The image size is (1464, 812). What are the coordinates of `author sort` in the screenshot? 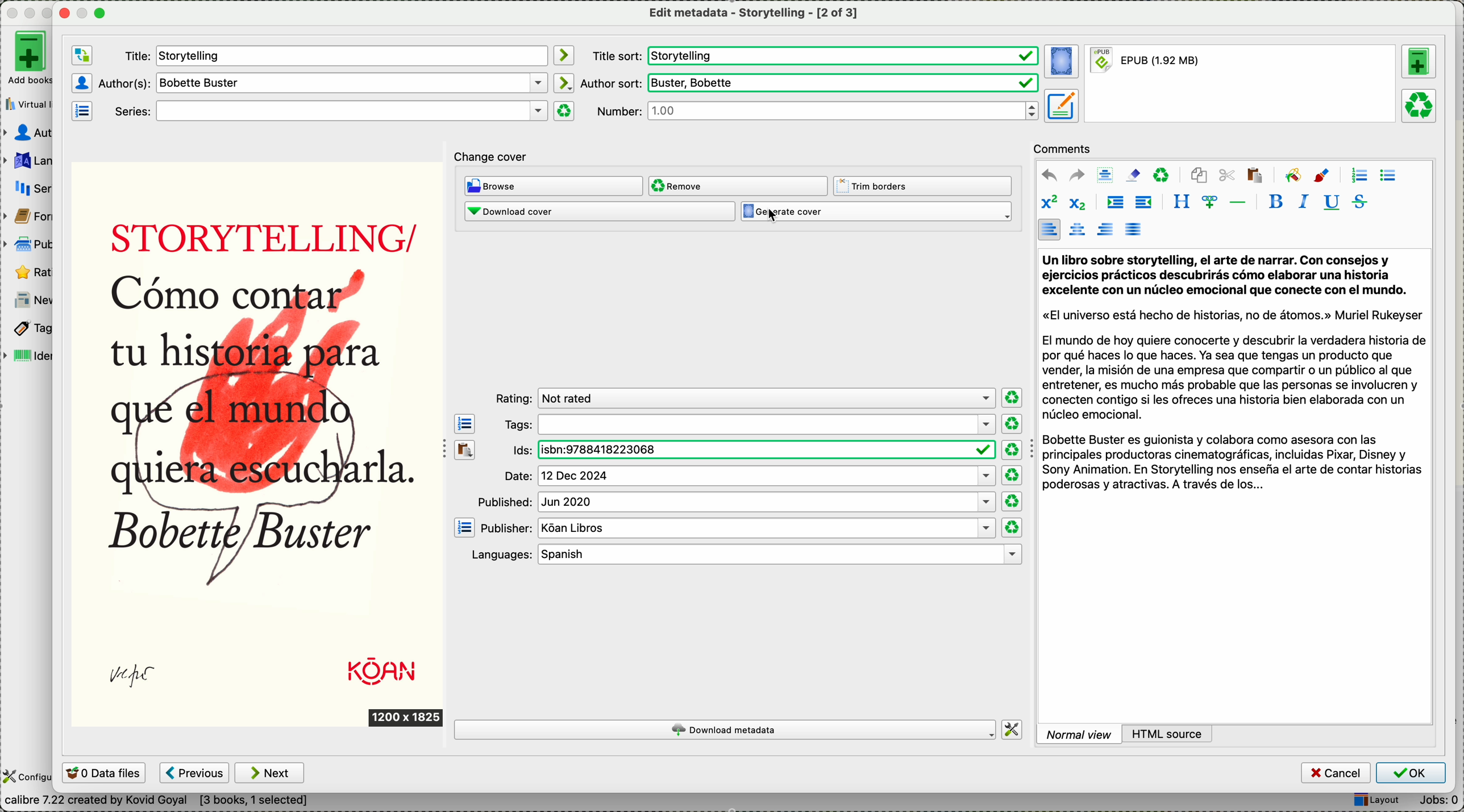 It's located at (810, 83).